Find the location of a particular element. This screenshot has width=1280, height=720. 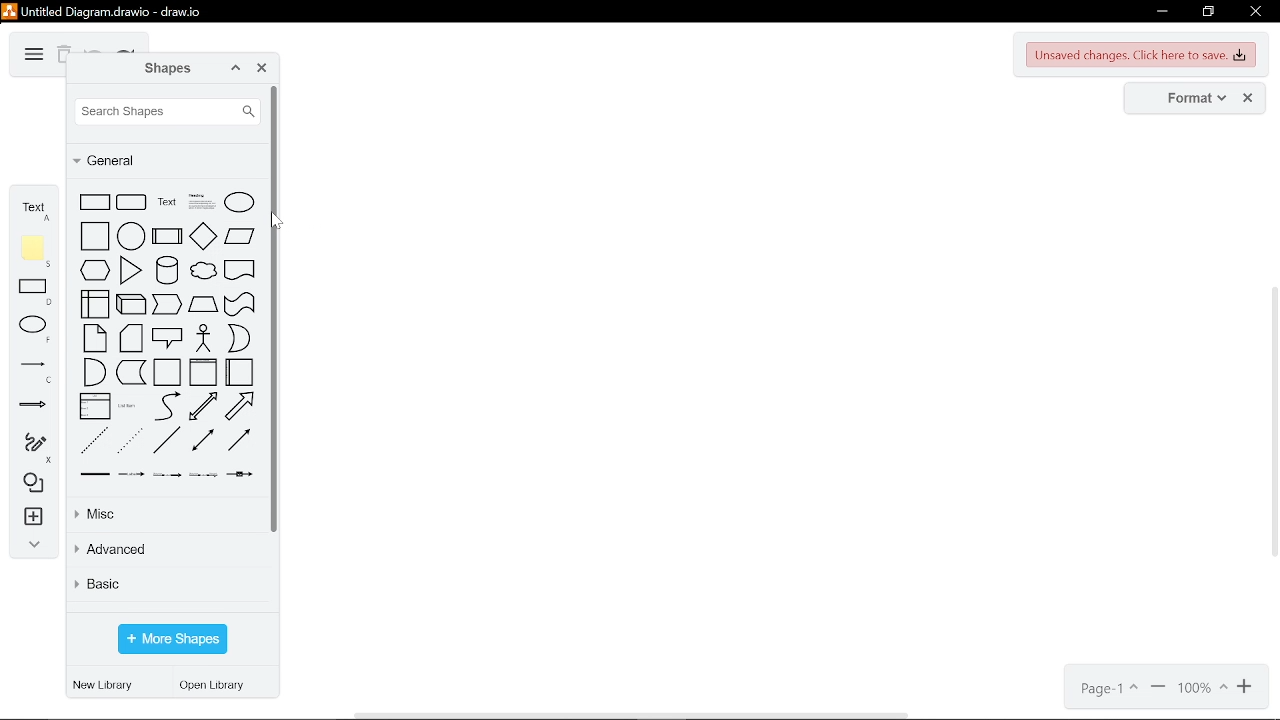

untitled diagram.drawio - draw.io is located at coordinates (114, 10).